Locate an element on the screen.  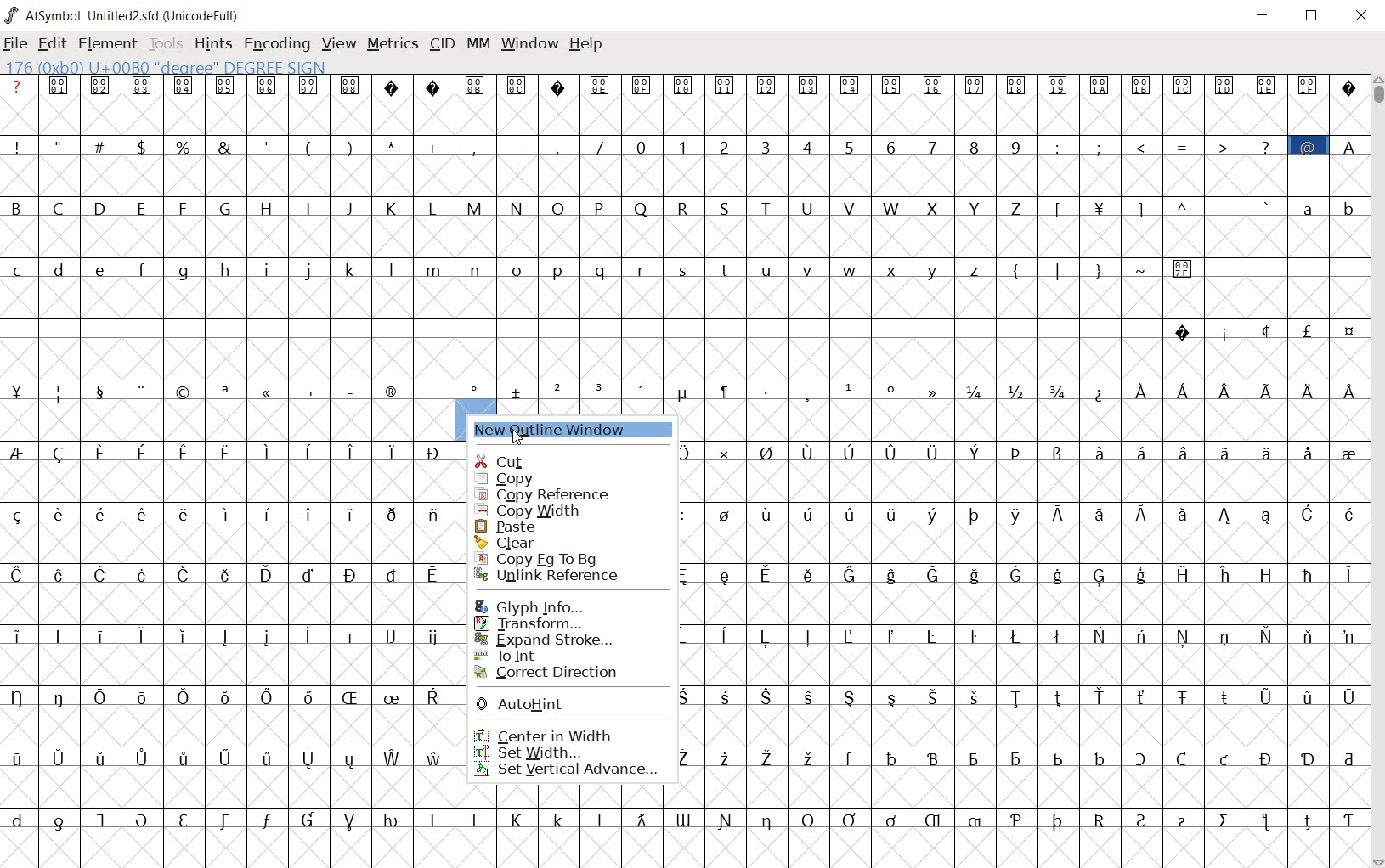
hints is located at coordinates (212, 44).